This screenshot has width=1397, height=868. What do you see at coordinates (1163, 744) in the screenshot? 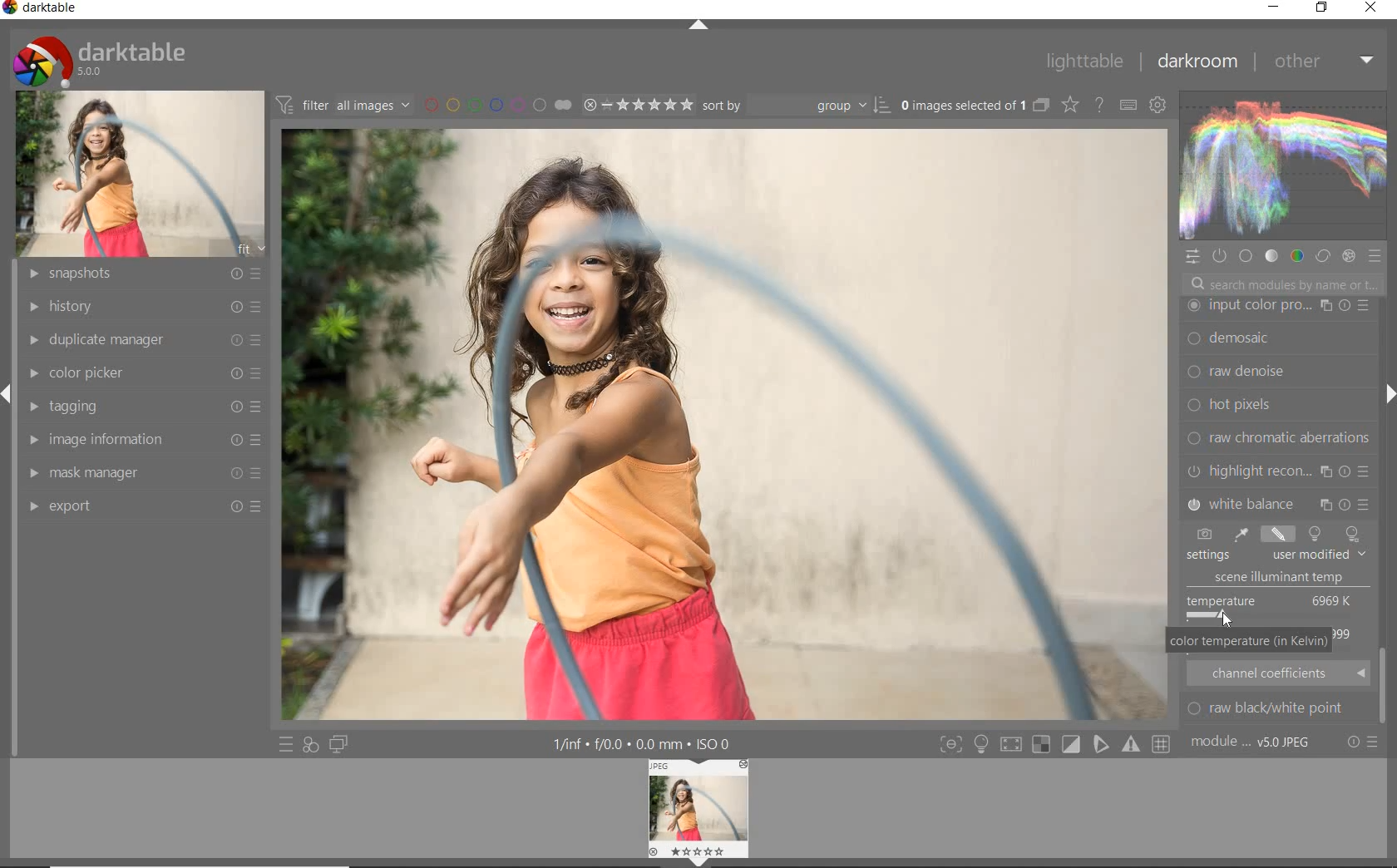
I see `toggle mode ` at bounding box center [1163, 744].